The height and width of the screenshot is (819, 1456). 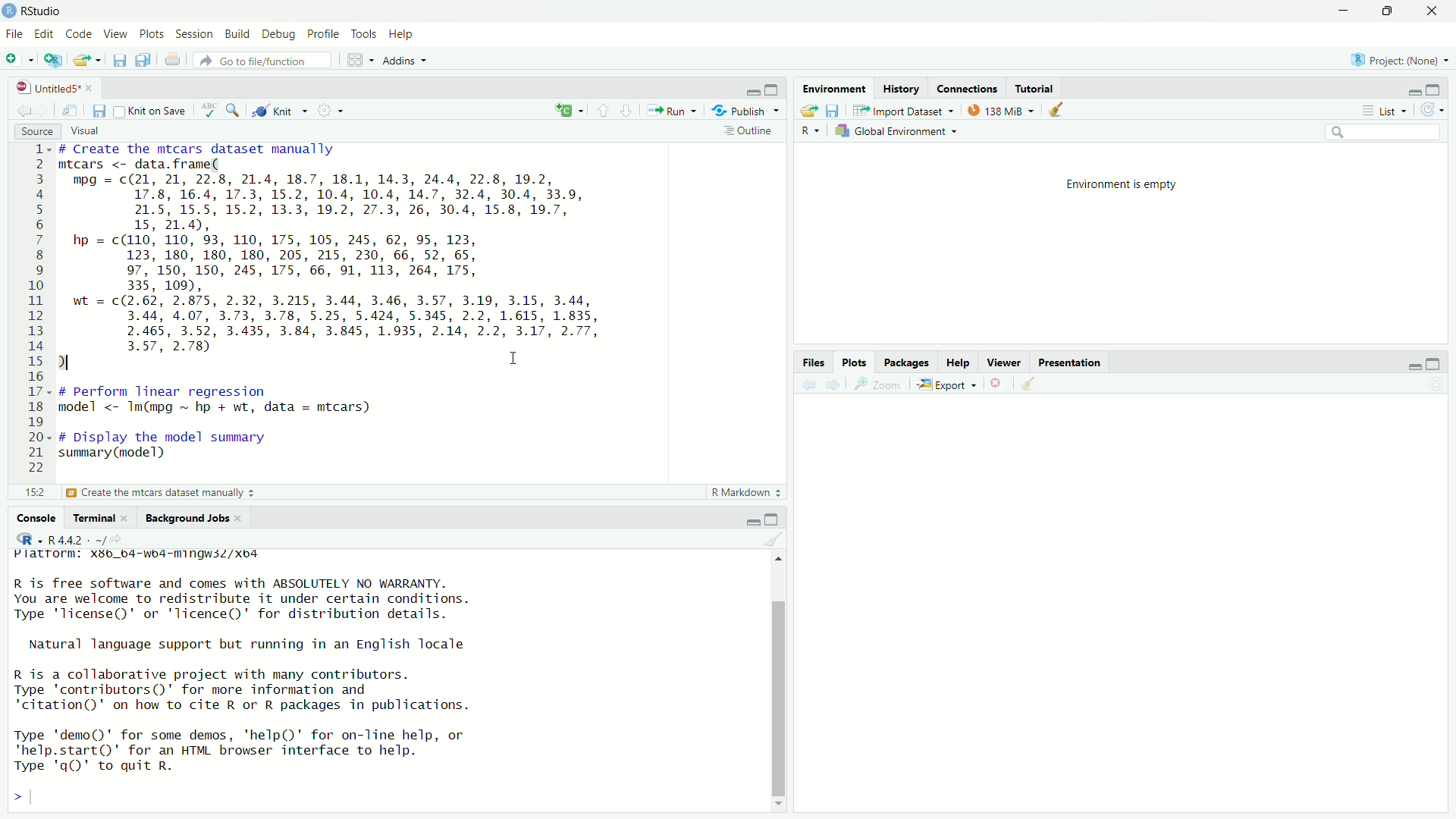 I want to click on refresh, so click(x=1434, y=110).